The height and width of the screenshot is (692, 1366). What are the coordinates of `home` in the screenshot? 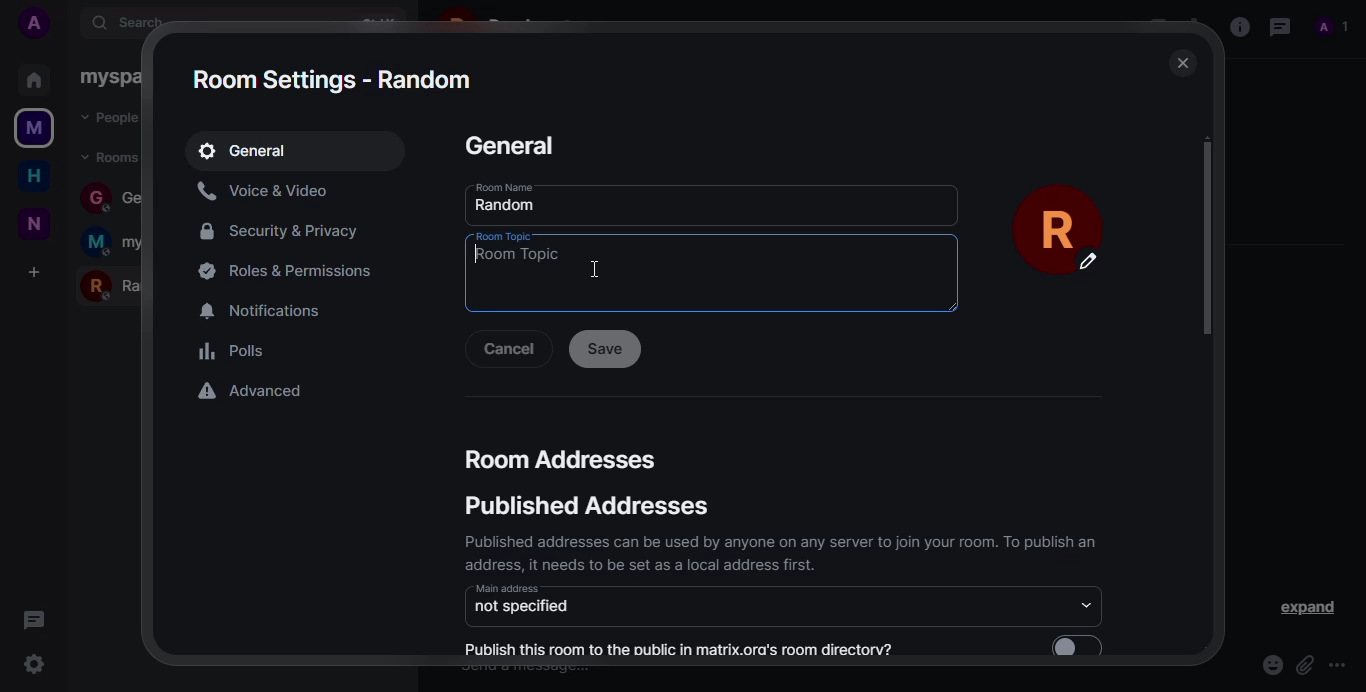 It's located at (31, 78).